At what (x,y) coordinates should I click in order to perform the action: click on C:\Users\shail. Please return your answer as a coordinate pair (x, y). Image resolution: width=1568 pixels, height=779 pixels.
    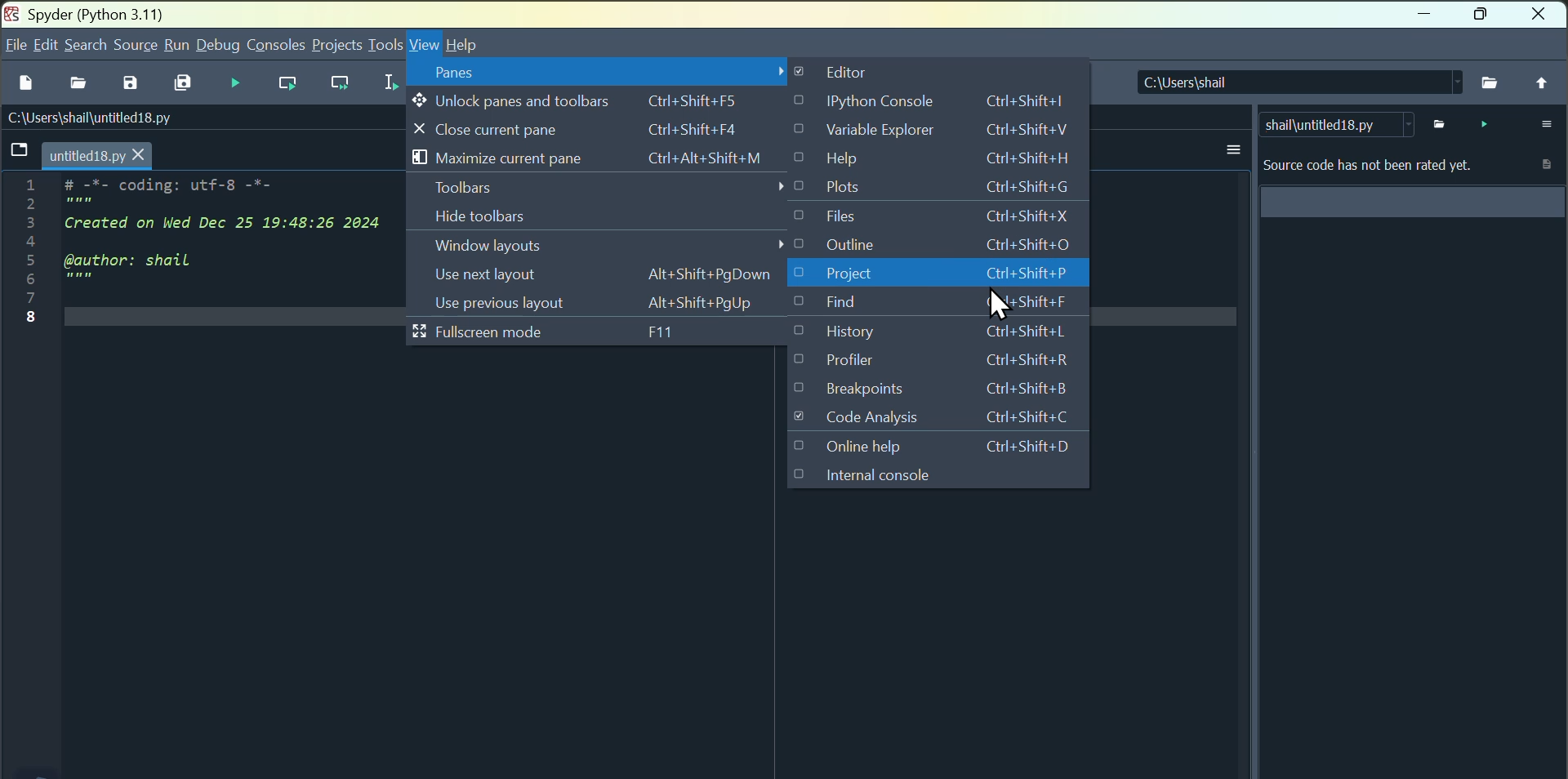
    Looking at the image, I should click on (1294, 81).